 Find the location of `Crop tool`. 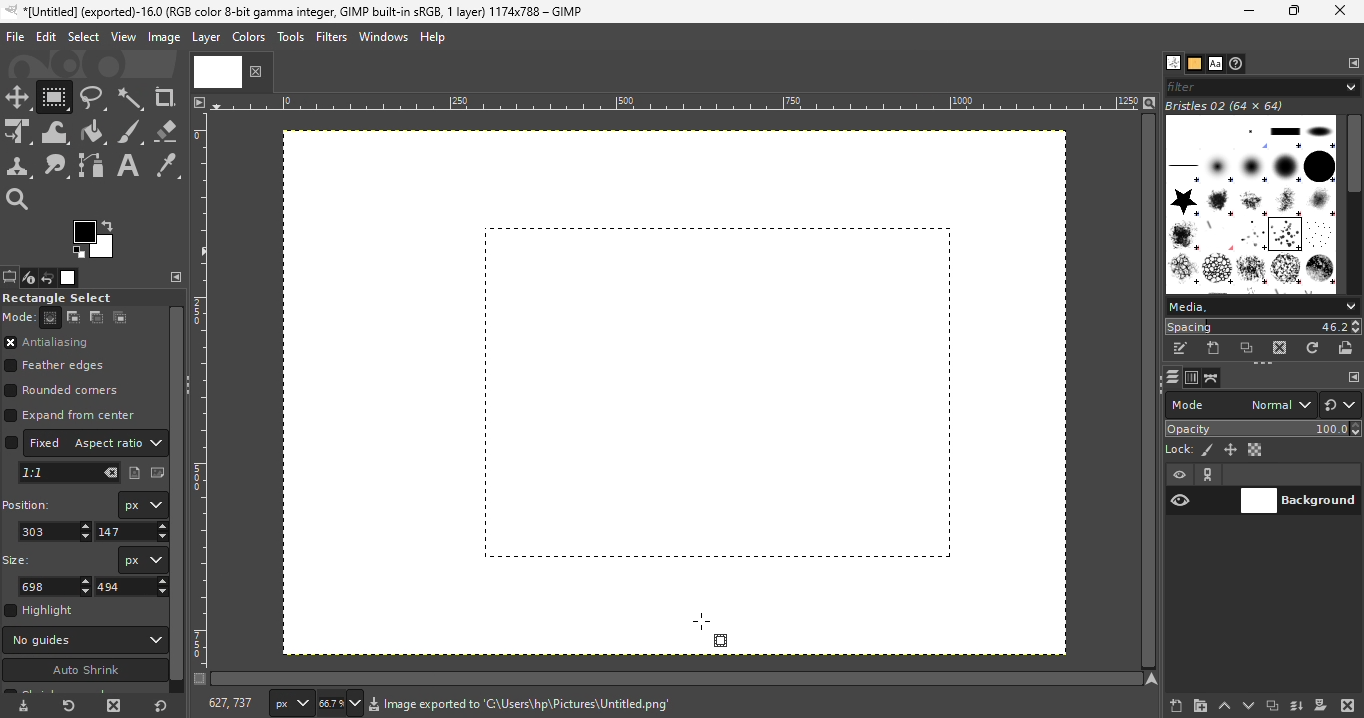

Crop tool is located at coordinates (167, 98).